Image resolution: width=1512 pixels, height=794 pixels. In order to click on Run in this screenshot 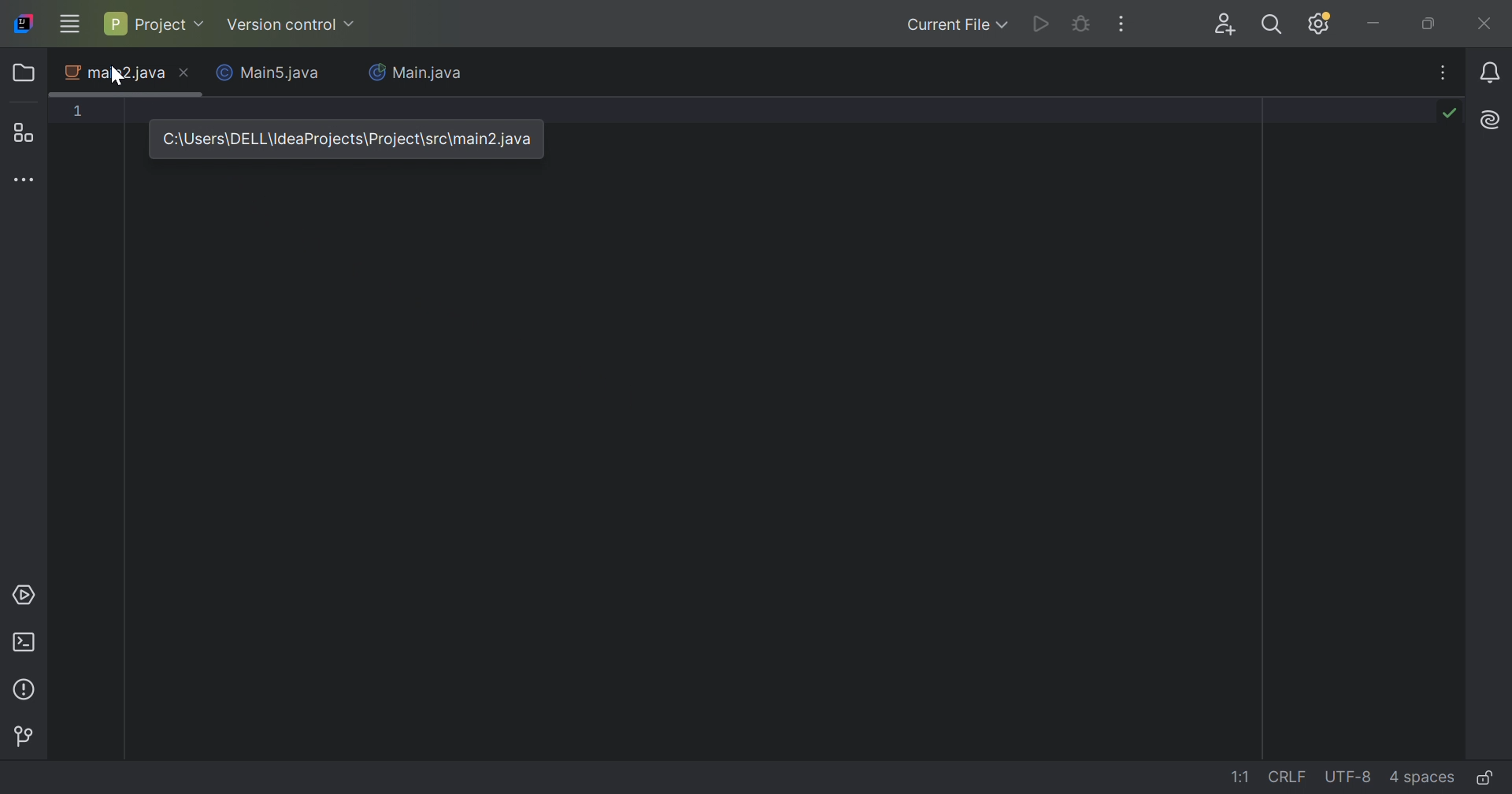, I will do `click(1042, 24)`.